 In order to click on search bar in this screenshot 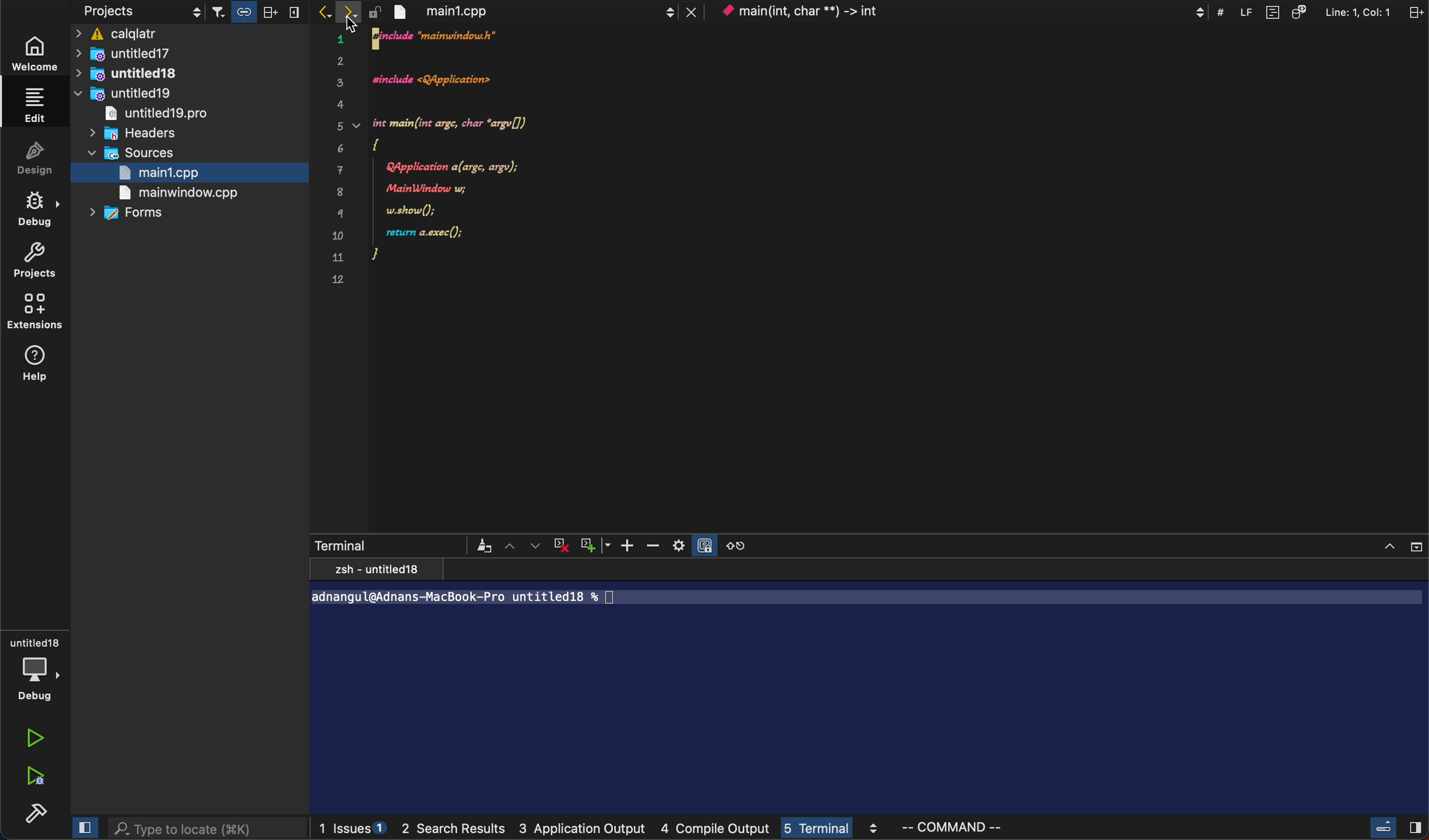, I will do `click(205, 829)`.